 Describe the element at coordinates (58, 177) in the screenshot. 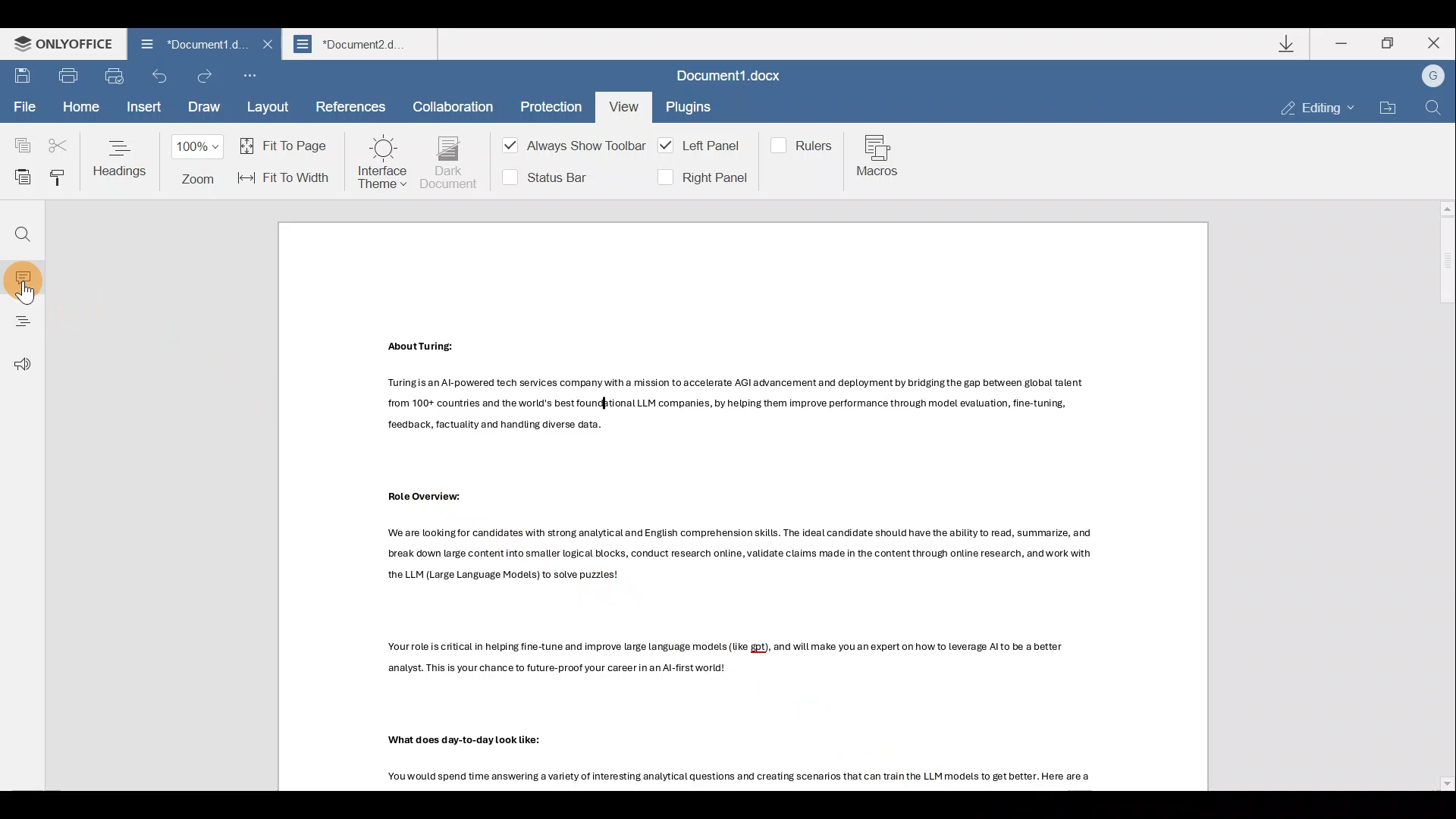

I see `Copy style` at that location.